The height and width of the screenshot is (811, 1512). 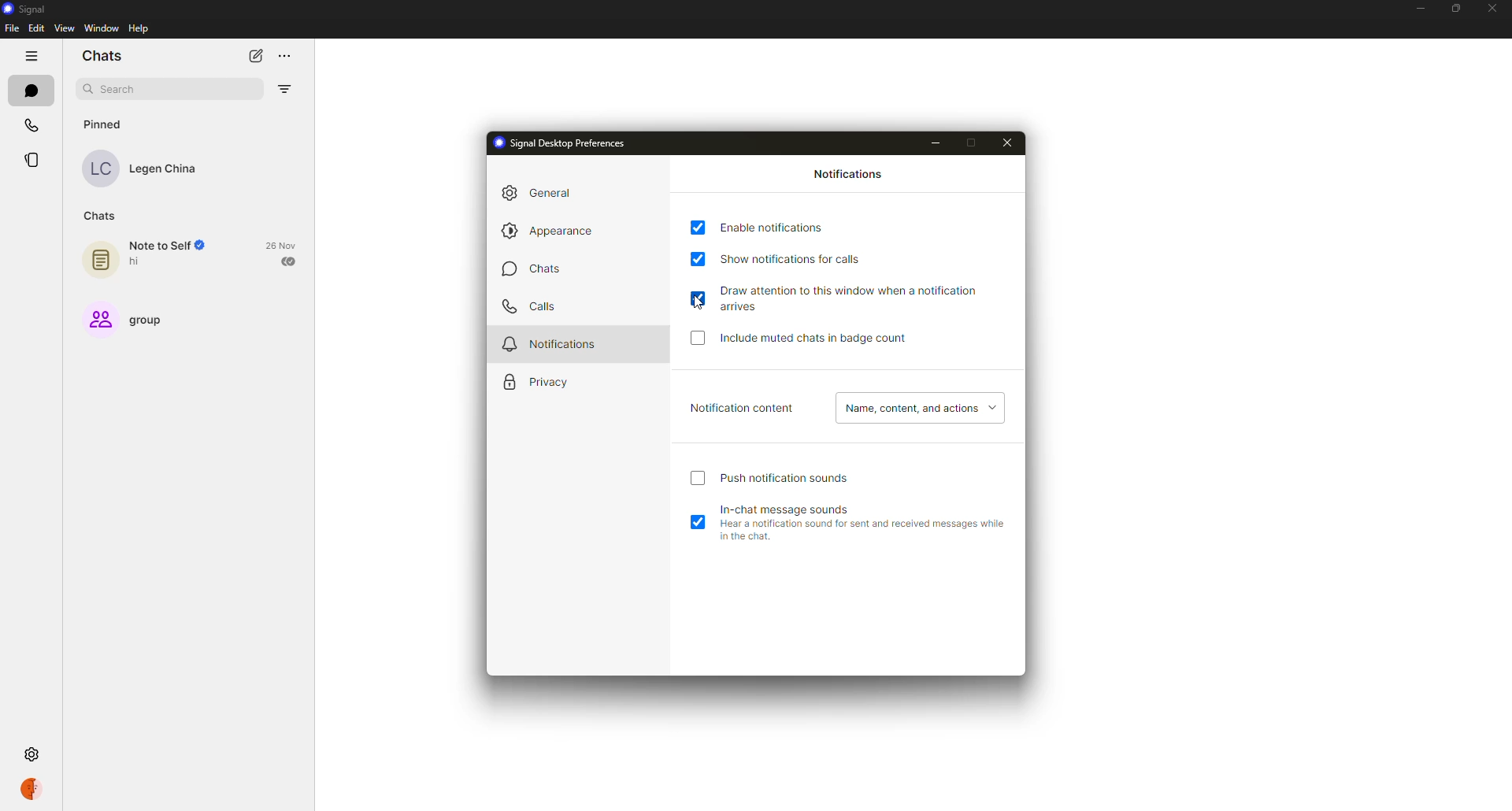 What do you see at coordinates (792, 507) in the screenshot?
I see `in-chat message sounds` at bounding box center [792, 507].